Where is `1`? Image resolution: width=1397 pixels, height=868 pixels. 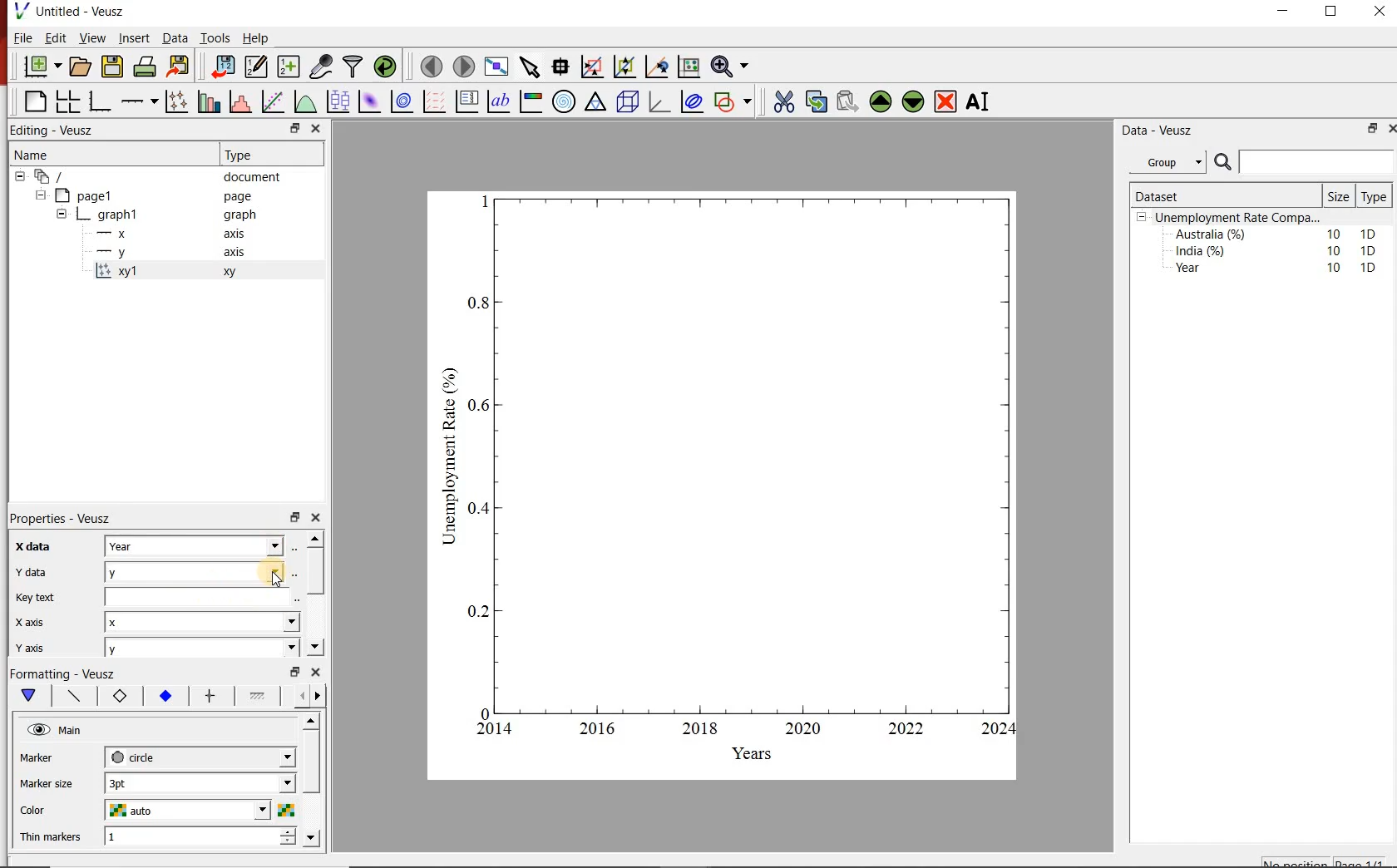 1 is located at coordinates (186, 837).